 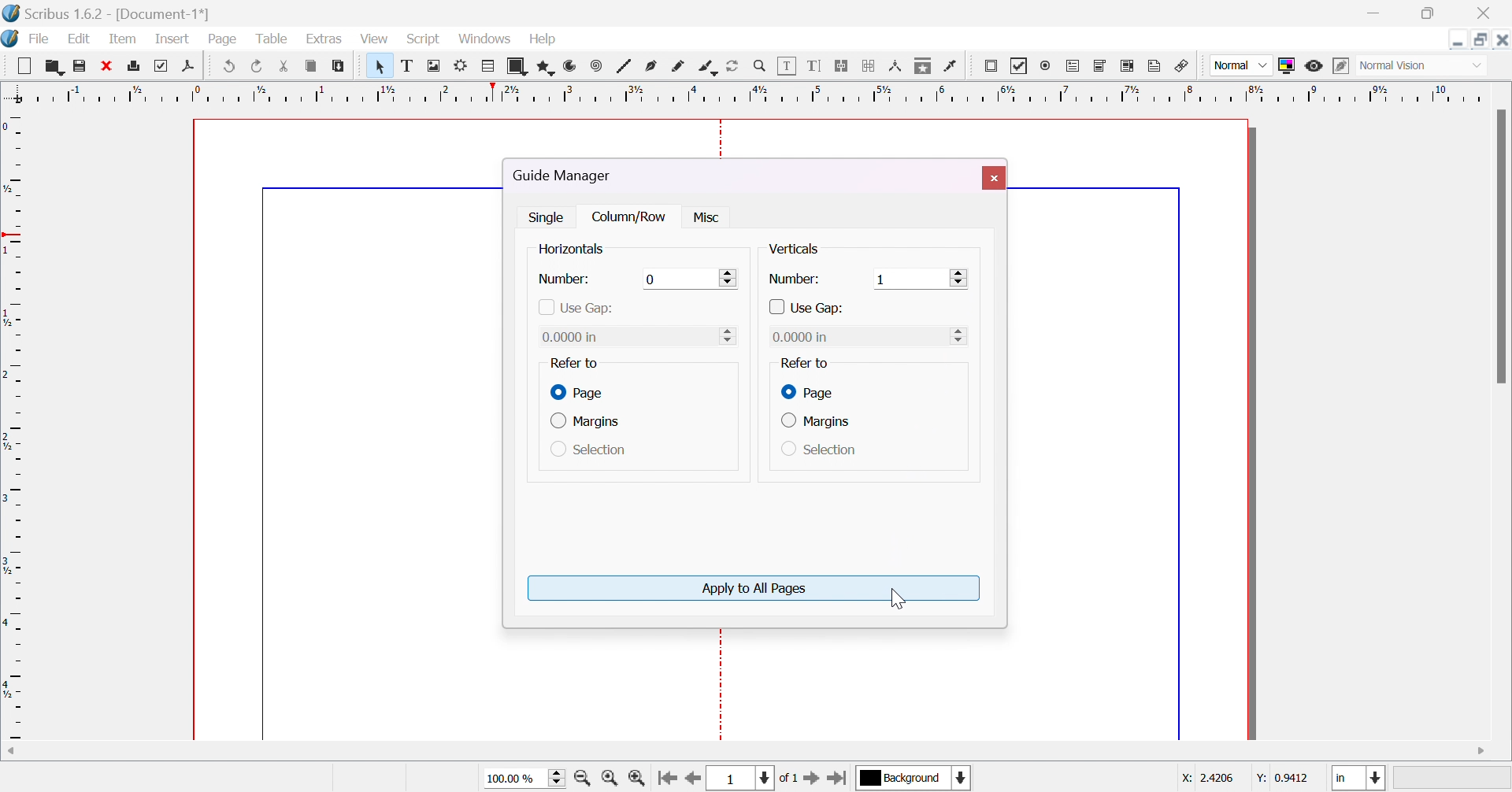 What do you see at coordinates (483, 39) in the screenshot?
I see `windows` at bounding box center [483, 39].